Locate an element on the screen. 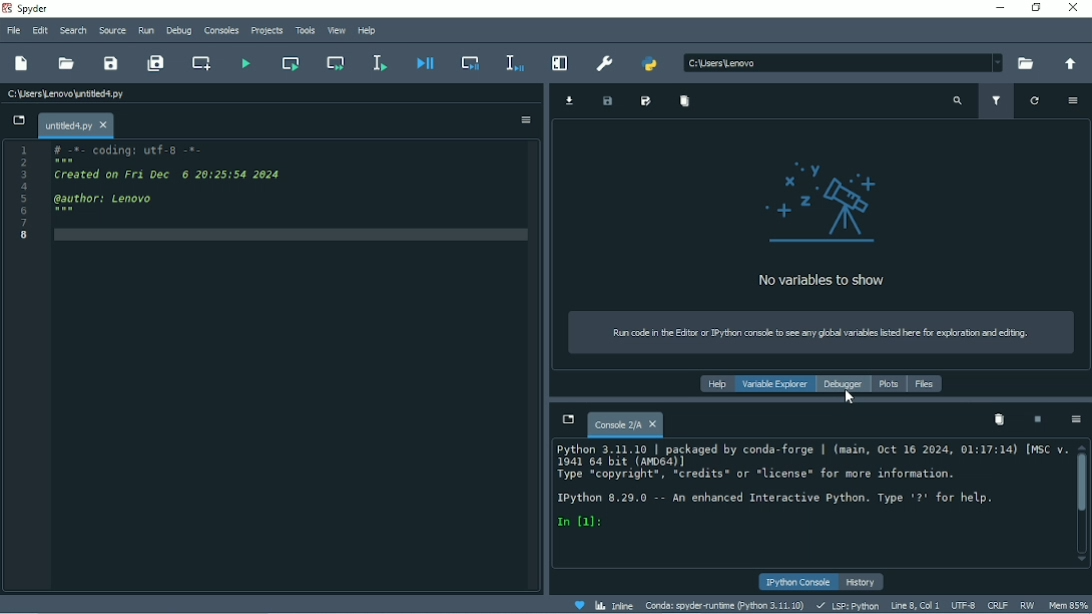  RW is located at coordinates (1027, 604).